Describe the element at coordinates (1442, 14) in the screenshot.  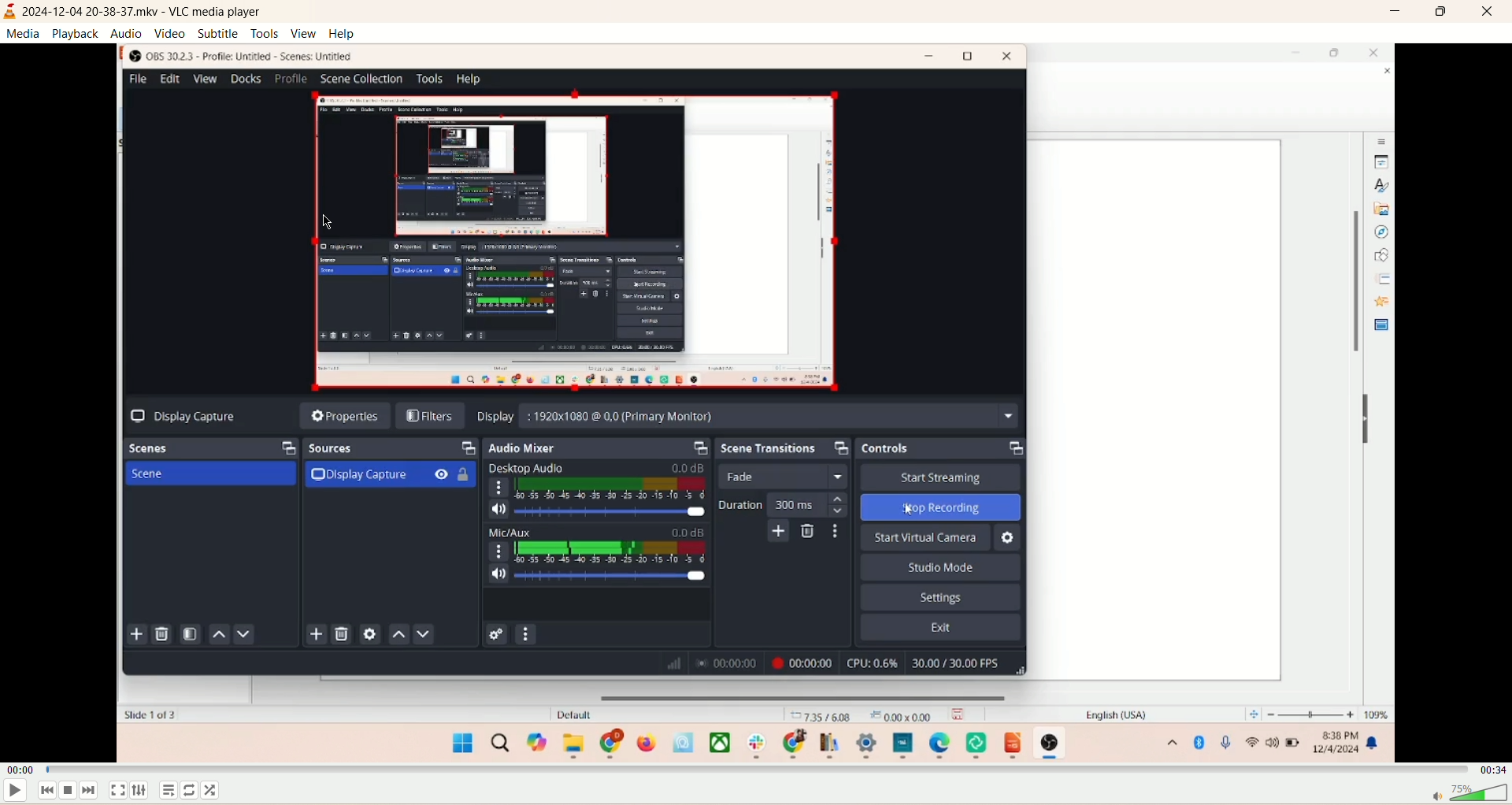
I see `maximize` at that location.